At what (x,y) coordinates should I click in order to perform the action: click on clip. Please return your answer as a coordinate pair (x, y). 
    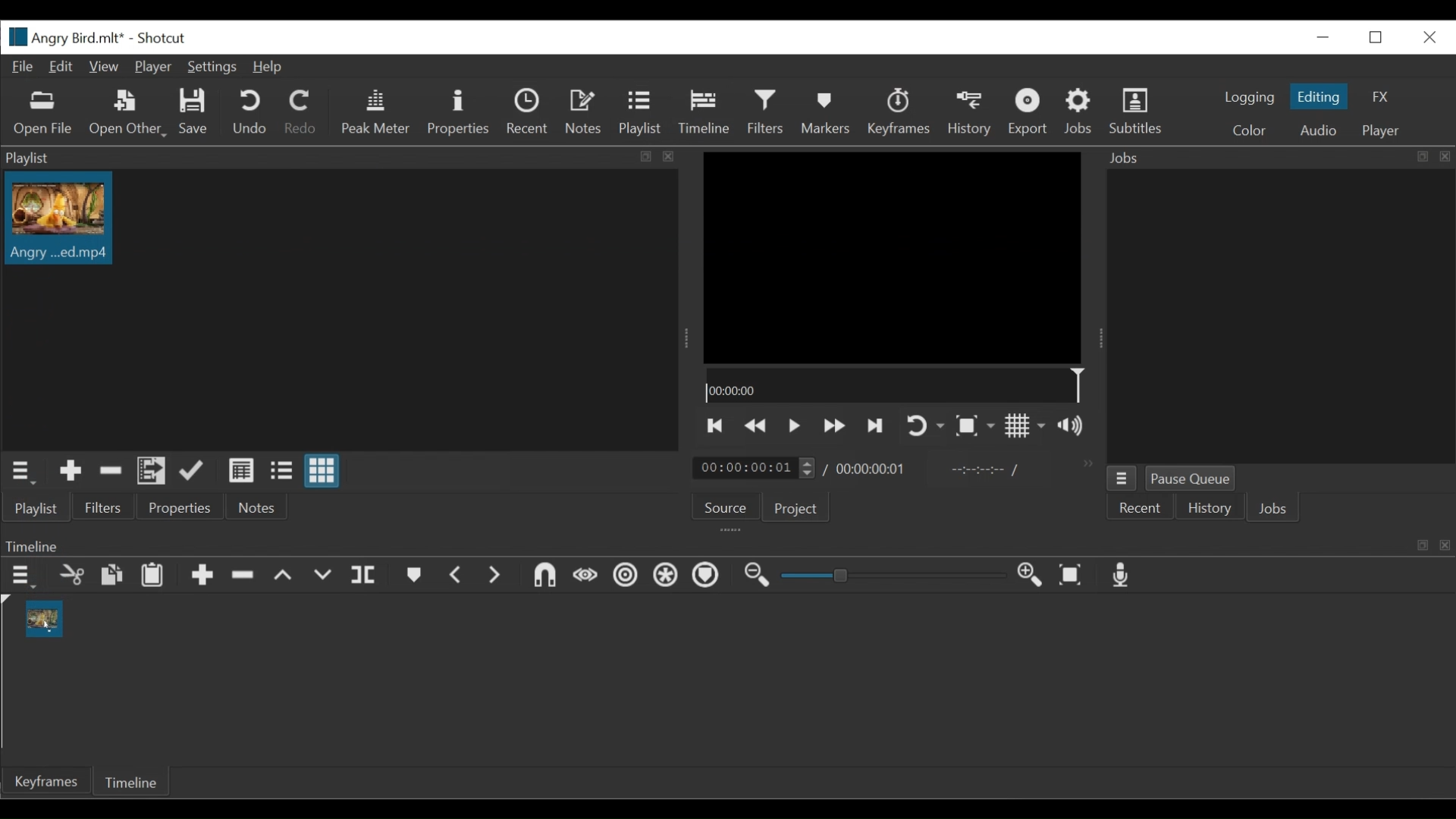
    Looking at the image, I should click on (43, 620).